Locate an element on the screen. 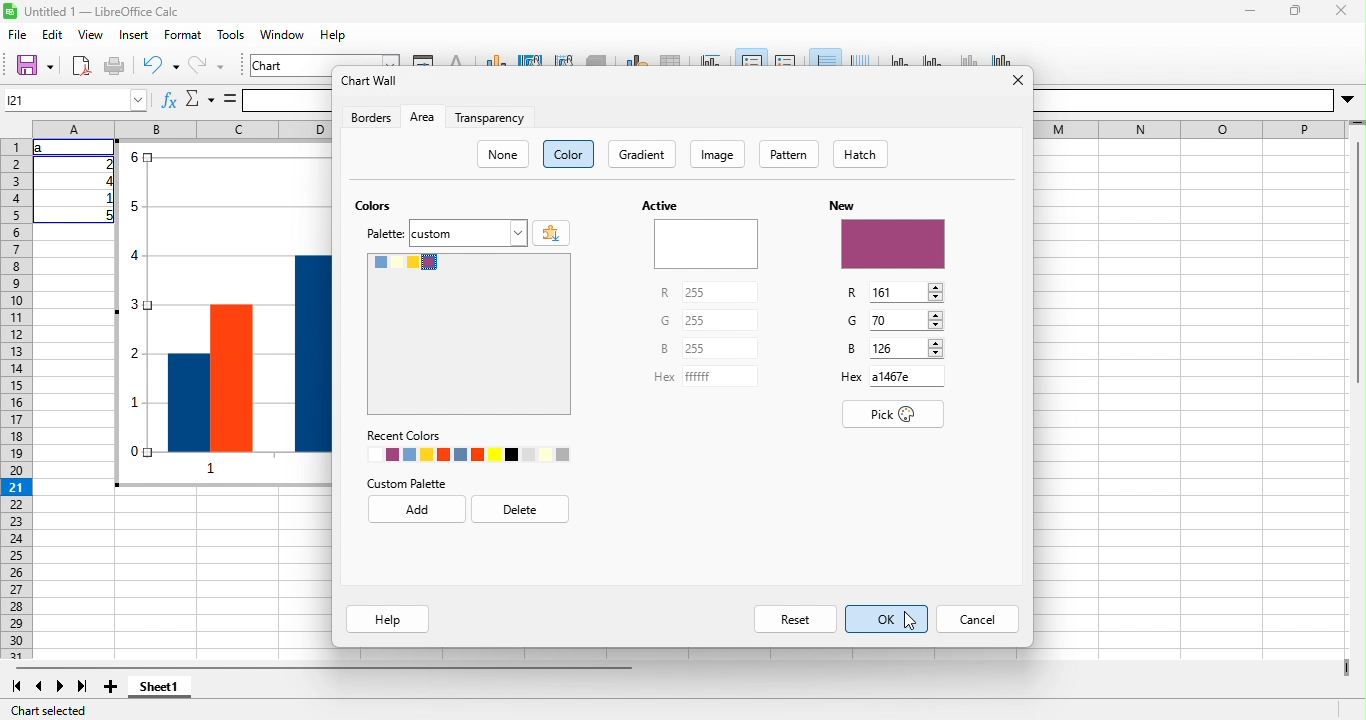 The width and height of the screenshot is (1366, 720). help is located at coordinates (333, 34).